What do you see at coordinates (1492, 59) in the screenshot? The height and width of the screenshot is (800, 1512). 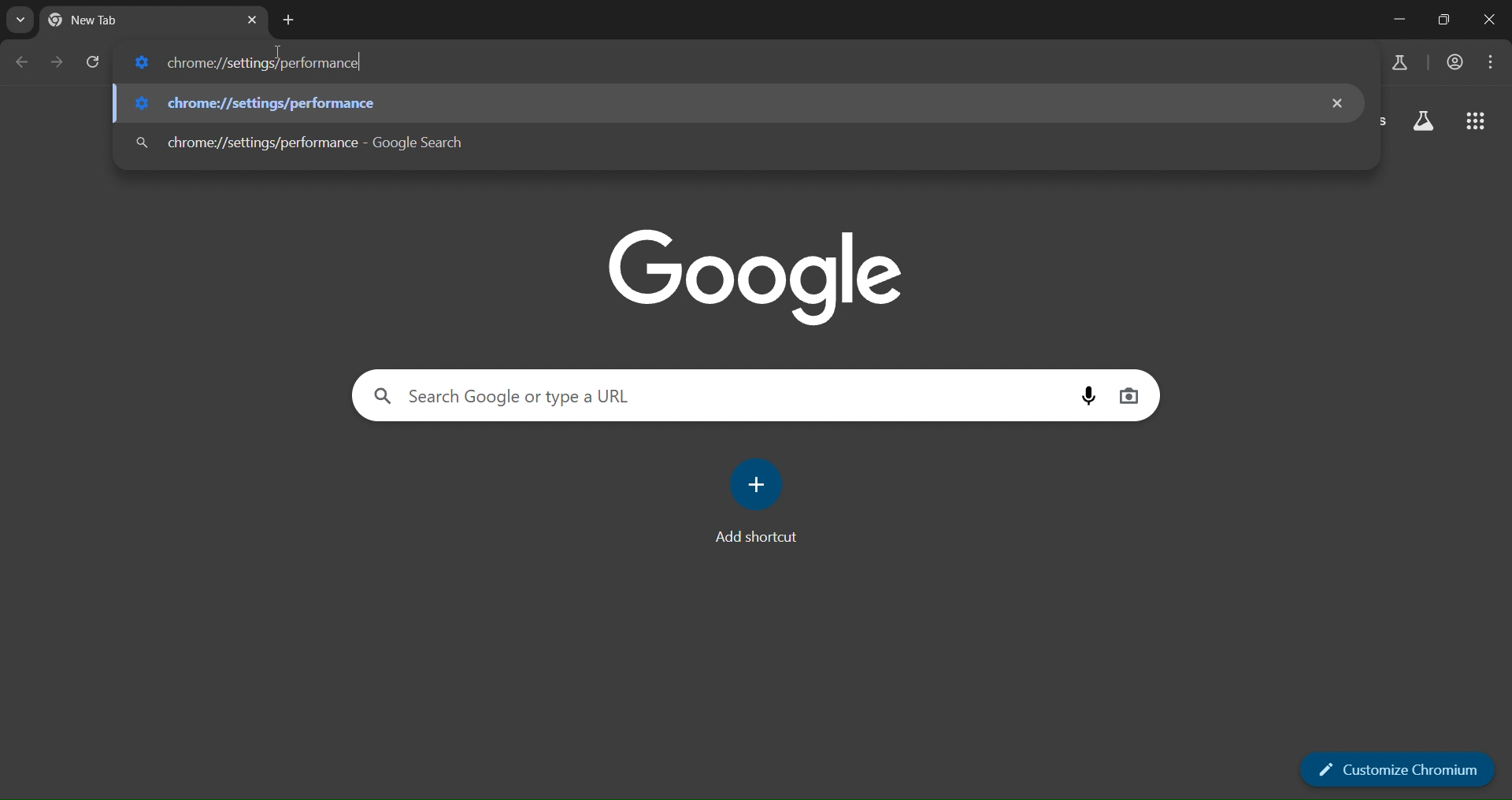 I see `menu` at bounding box center [1492, 59].